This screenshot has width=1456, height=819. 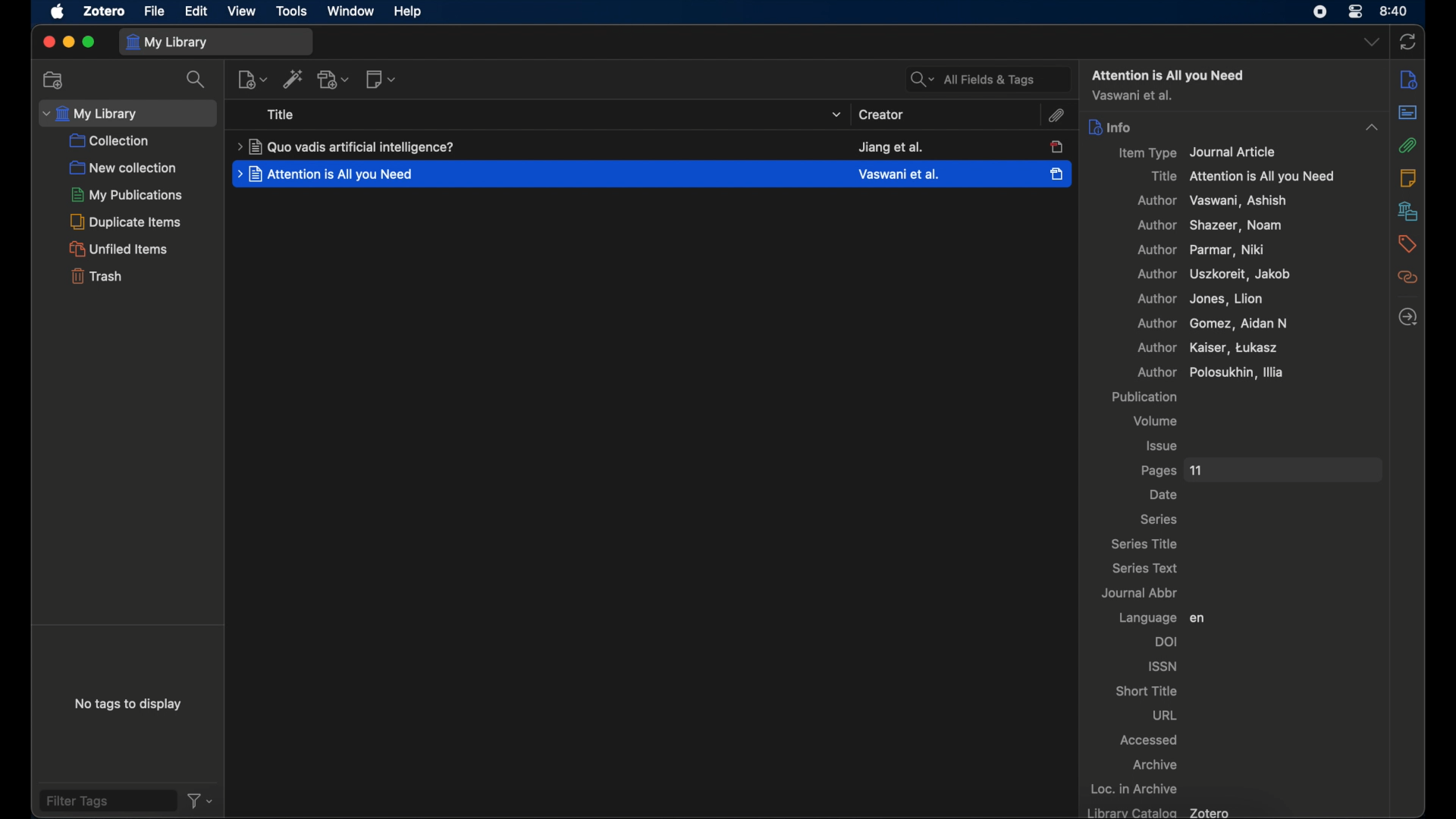 What do you see at coordinates (1211, 324) in the screenshot?
I see `author Gomez, Aidan n` at bounding box center [1211, 324].